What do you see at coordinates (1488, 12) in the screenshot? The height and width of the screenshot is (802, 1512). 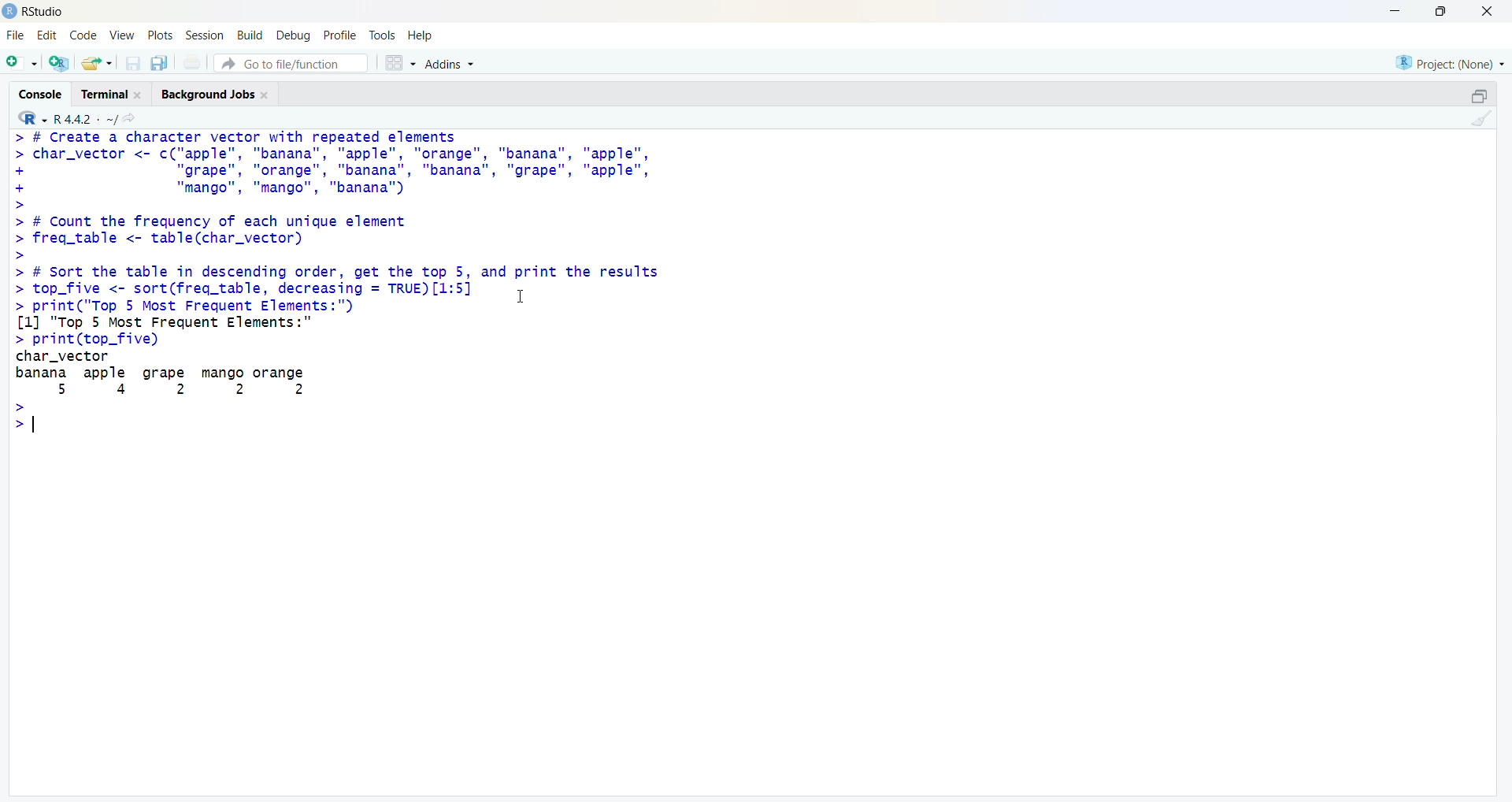 I see `Close` at bounding box center [1488, 12].